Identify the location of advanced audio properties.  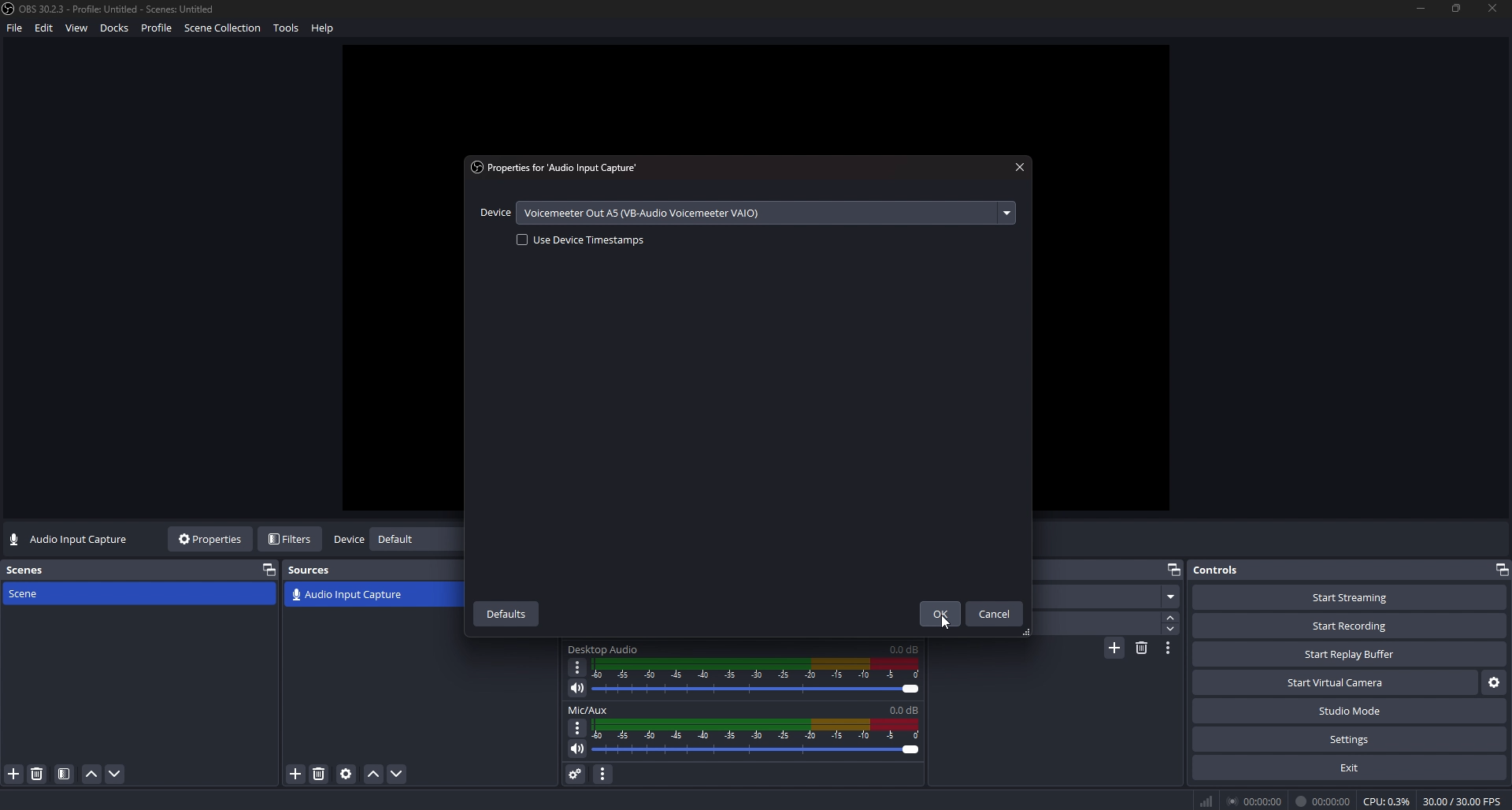
(575, 773).